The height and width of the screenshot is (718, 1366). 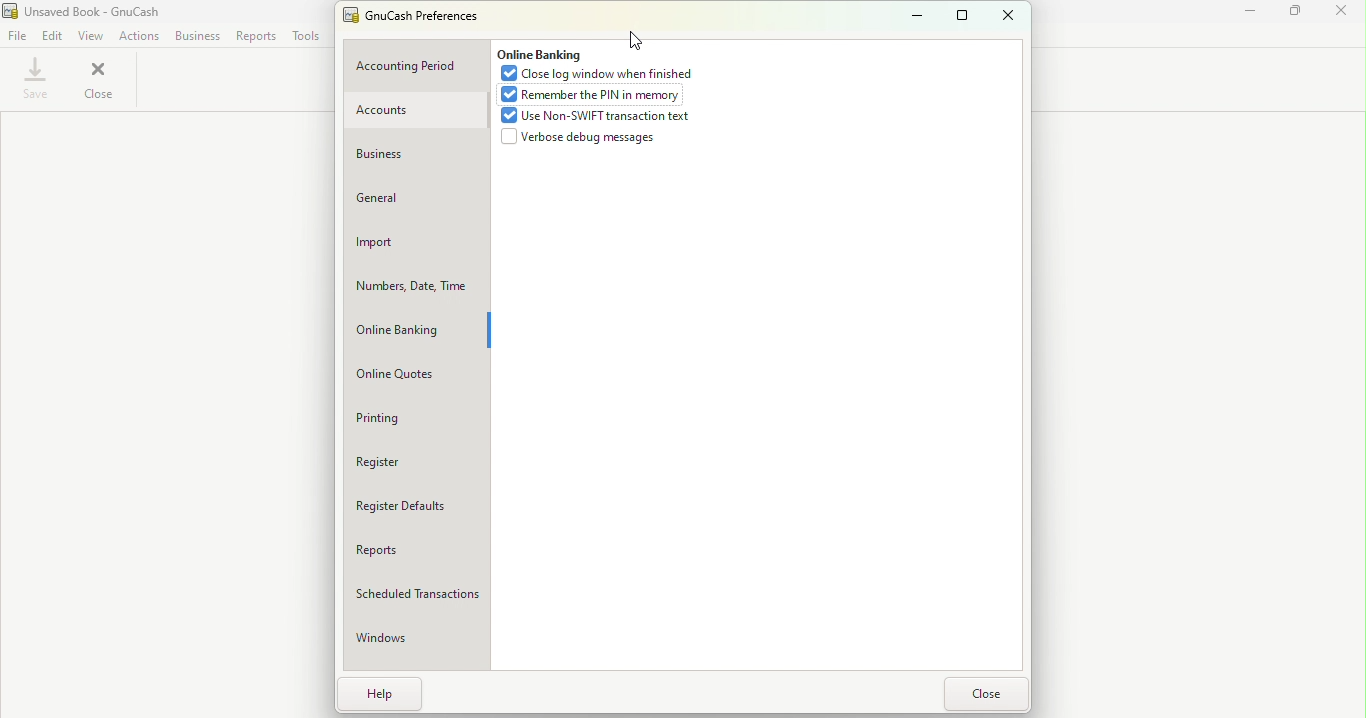 What do you see at coordinates (90, 11) in the screenshot?
I see `Unsaved Book - GnuCash` at bounding box center [90, 11].